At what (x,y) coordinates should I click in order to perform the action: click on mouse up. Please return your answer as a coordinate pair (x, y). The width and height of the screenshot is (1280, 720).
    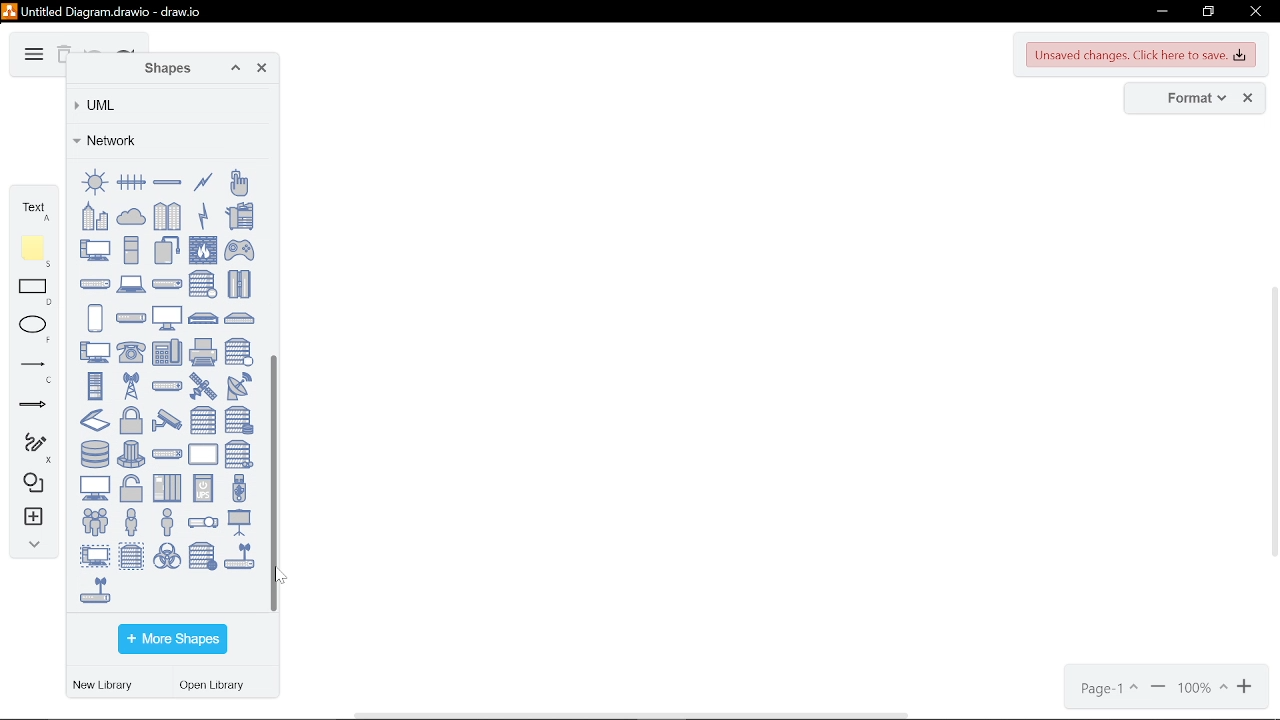
    Looking at the image, I should click on (282, 575).